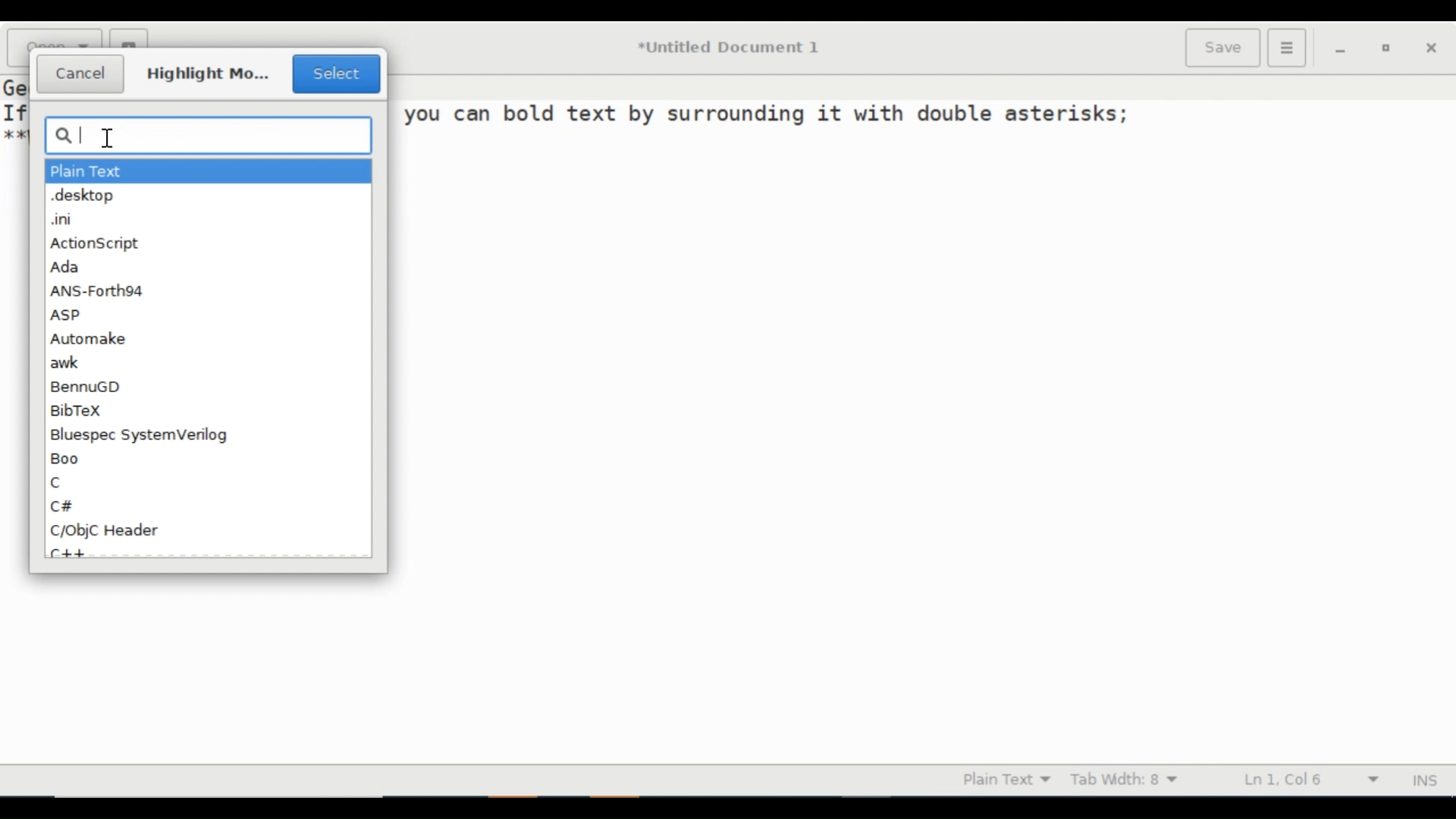 The height and width of the screenshot is (819, 1456). What do you see at coordinates (1221, 47) in the screenshot?
I see `Save` at bounding box center [1221, 47].